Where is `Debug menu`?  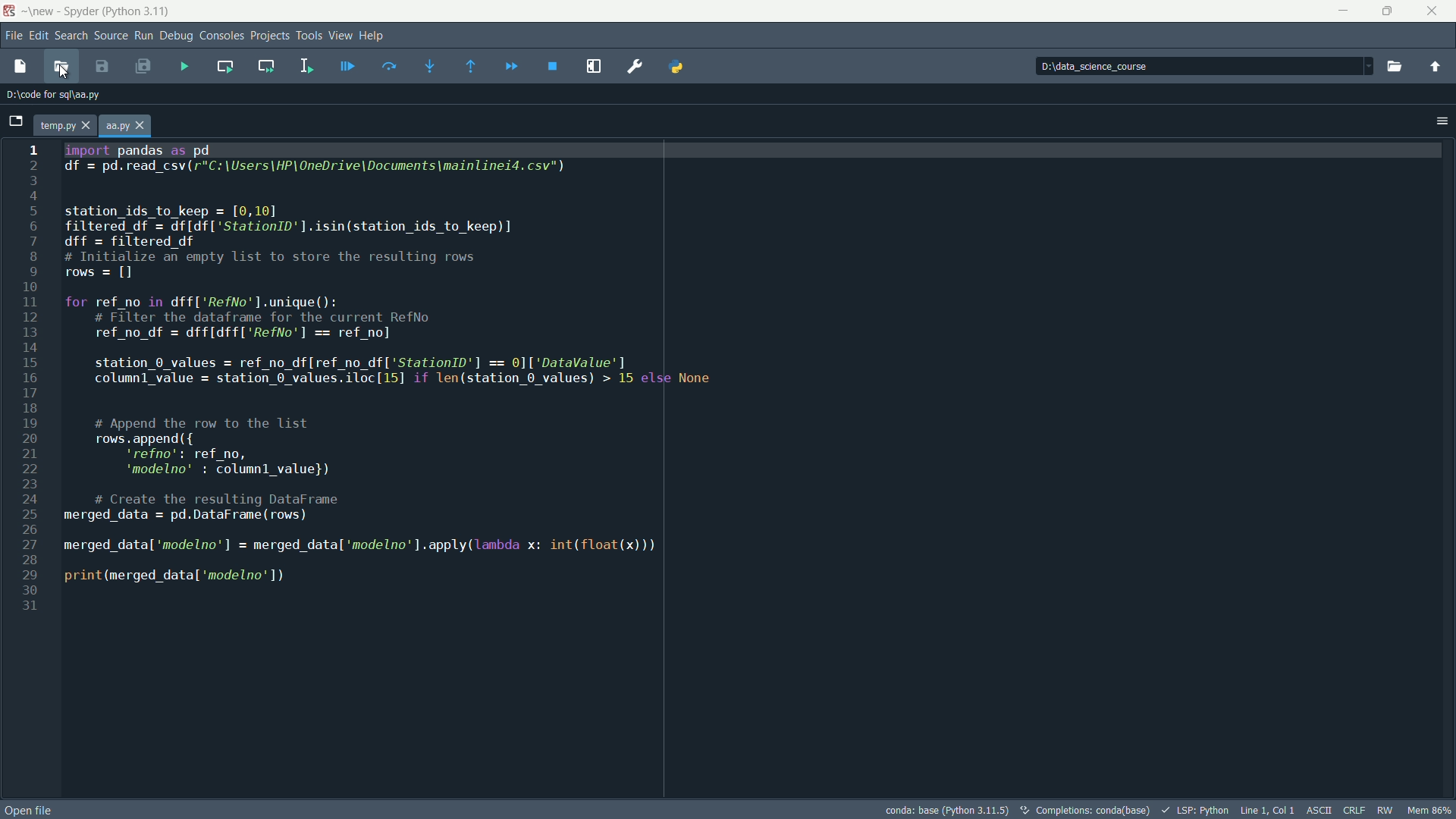
Debug menu is located at coordinates (177, 36).